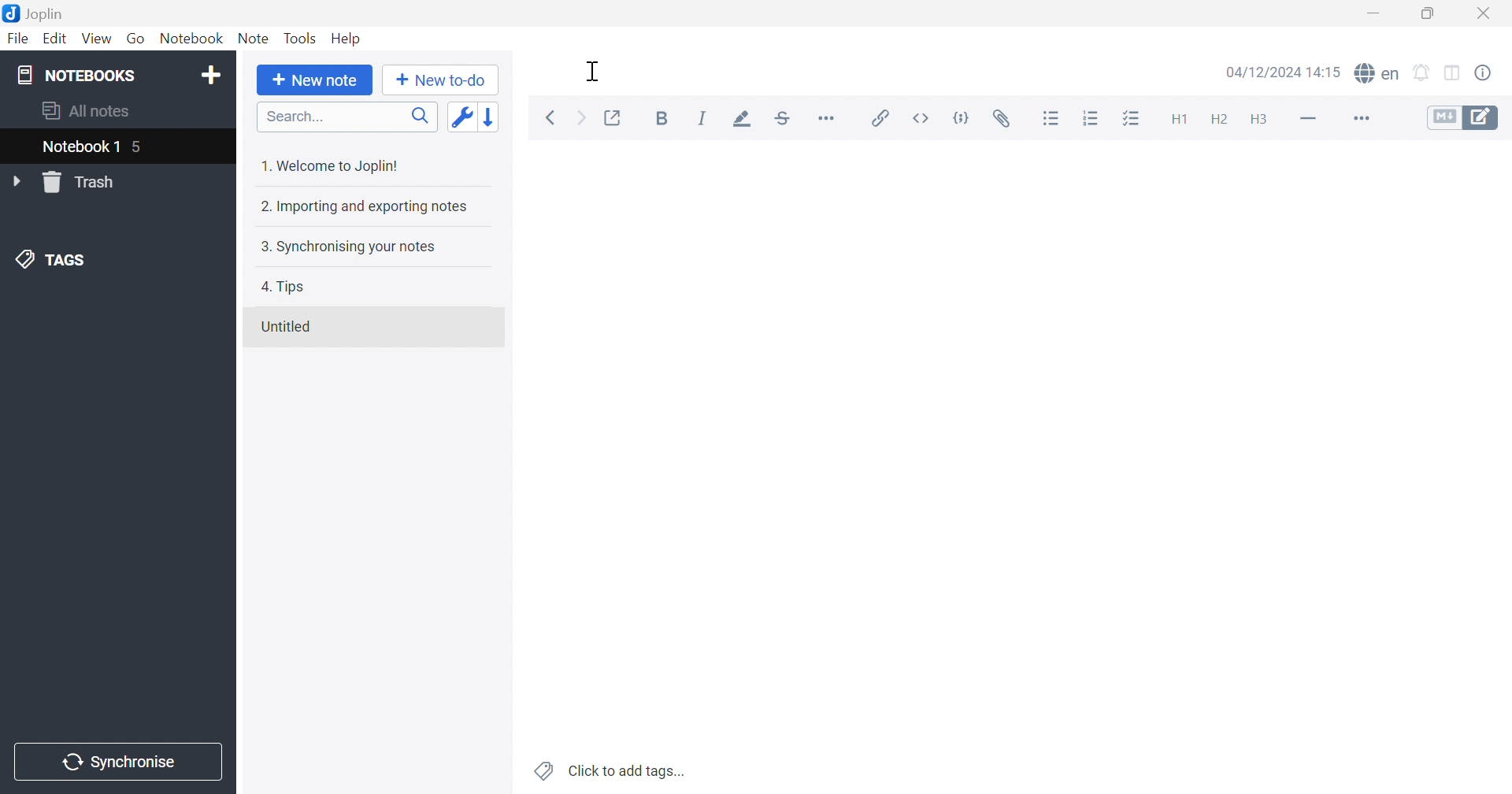 Image resolution: width=1512 pixels, height=794 pixels. What do you see at coordinates (1329, 72) in the screenshot?
I see `14:15` at bounding box center [1329, 72].